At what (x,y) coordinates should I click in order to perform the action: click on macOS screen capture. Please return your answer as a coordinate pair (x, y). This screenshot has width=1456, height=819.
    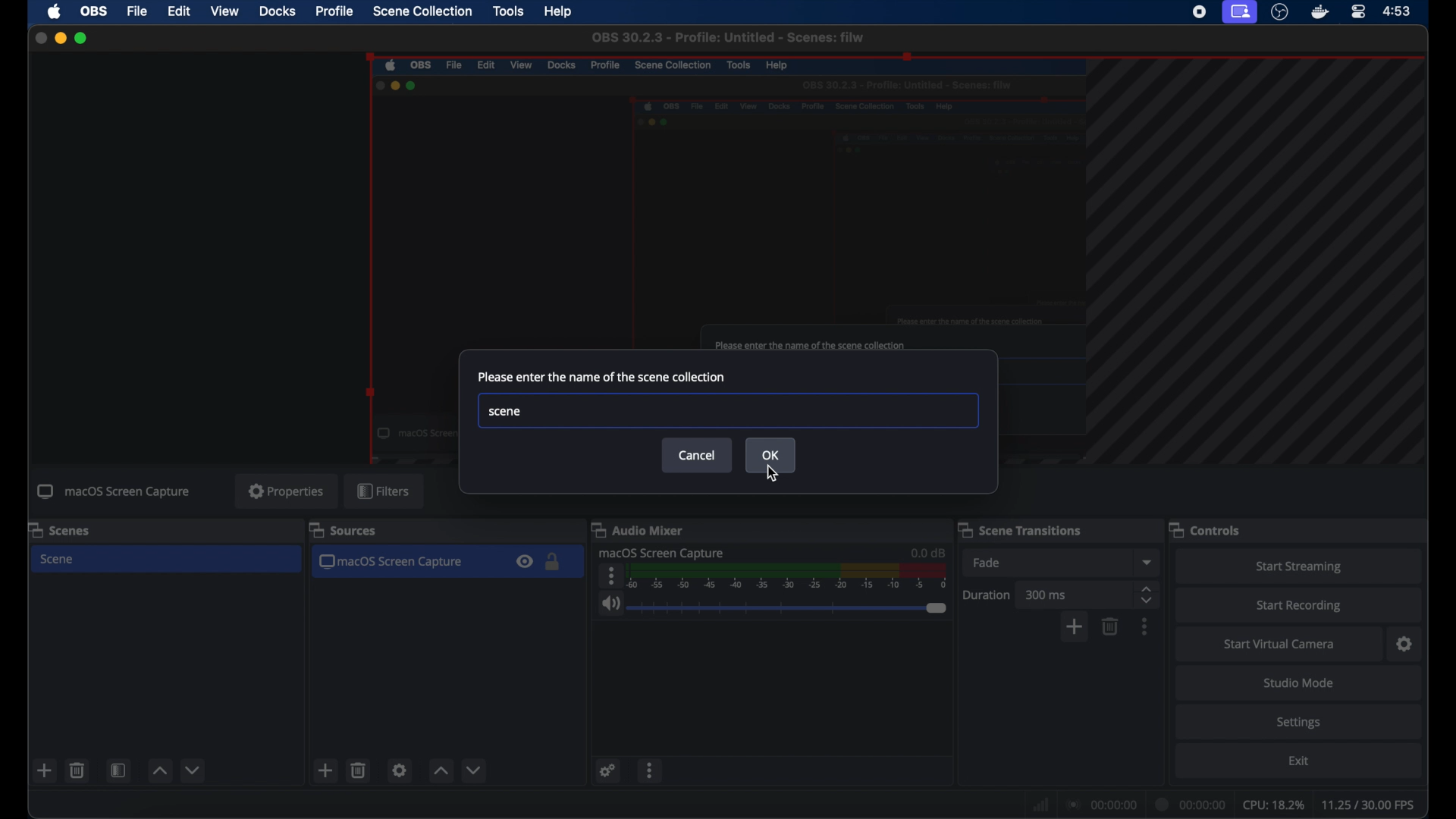
    Looking at the image, I should click on (663, 553).